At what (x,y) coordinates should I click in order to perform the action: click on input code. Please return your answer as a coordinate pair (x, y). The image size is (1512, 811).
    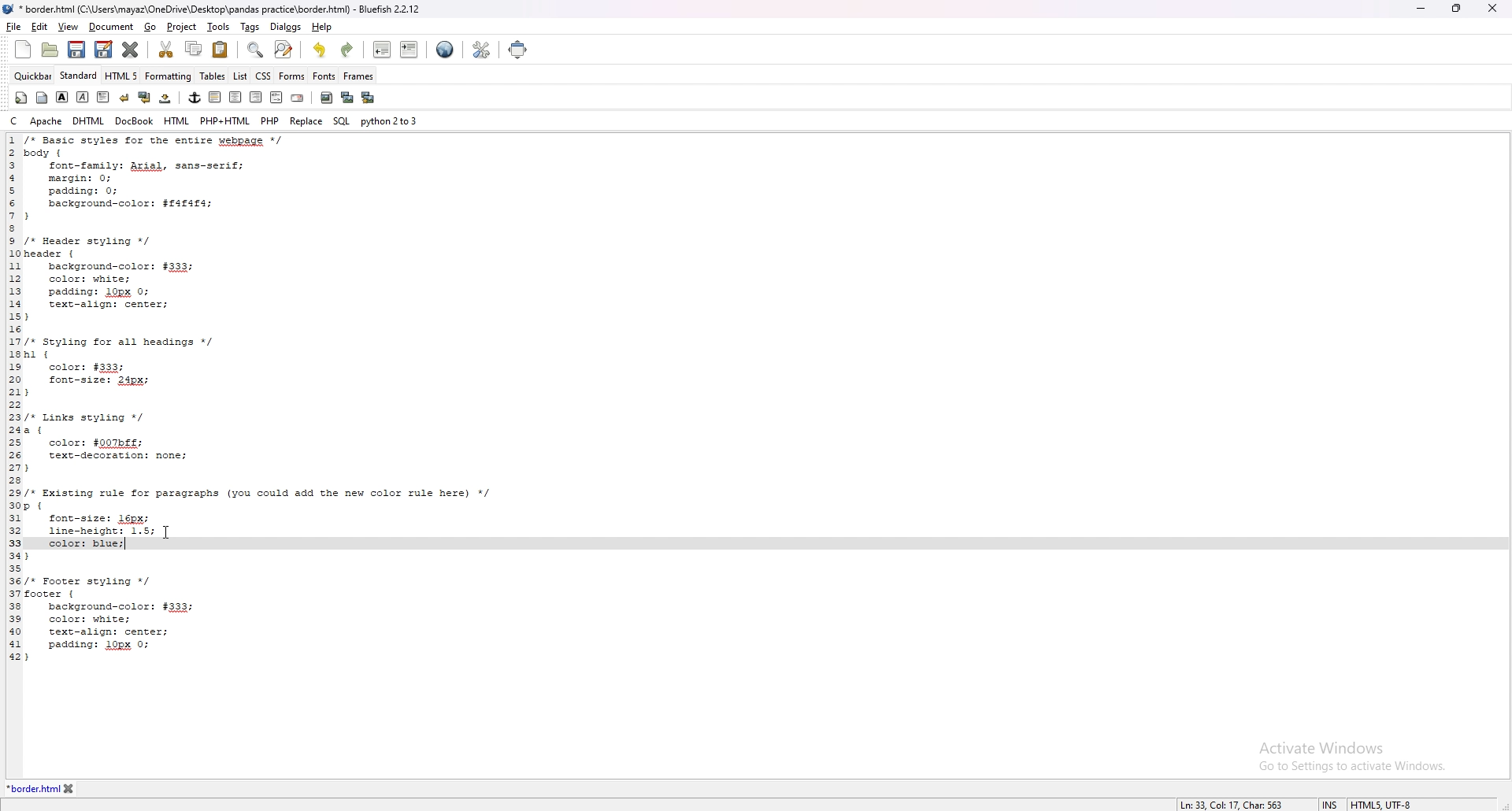
    Looking at the image, I should click on (106, 546).